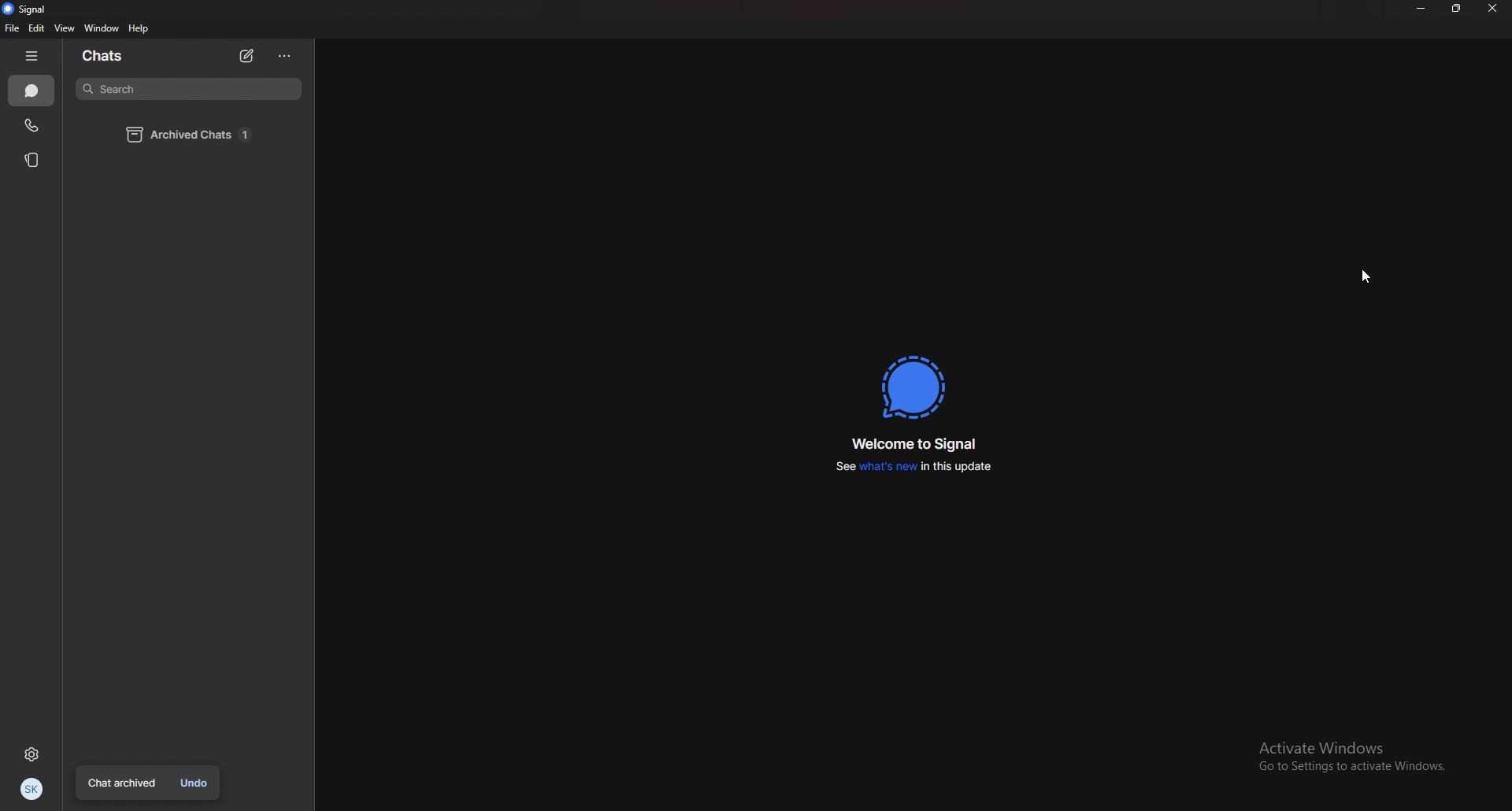  Describe the element at coordinates (111, 55) in the screenshot. I see `chats` at that location.